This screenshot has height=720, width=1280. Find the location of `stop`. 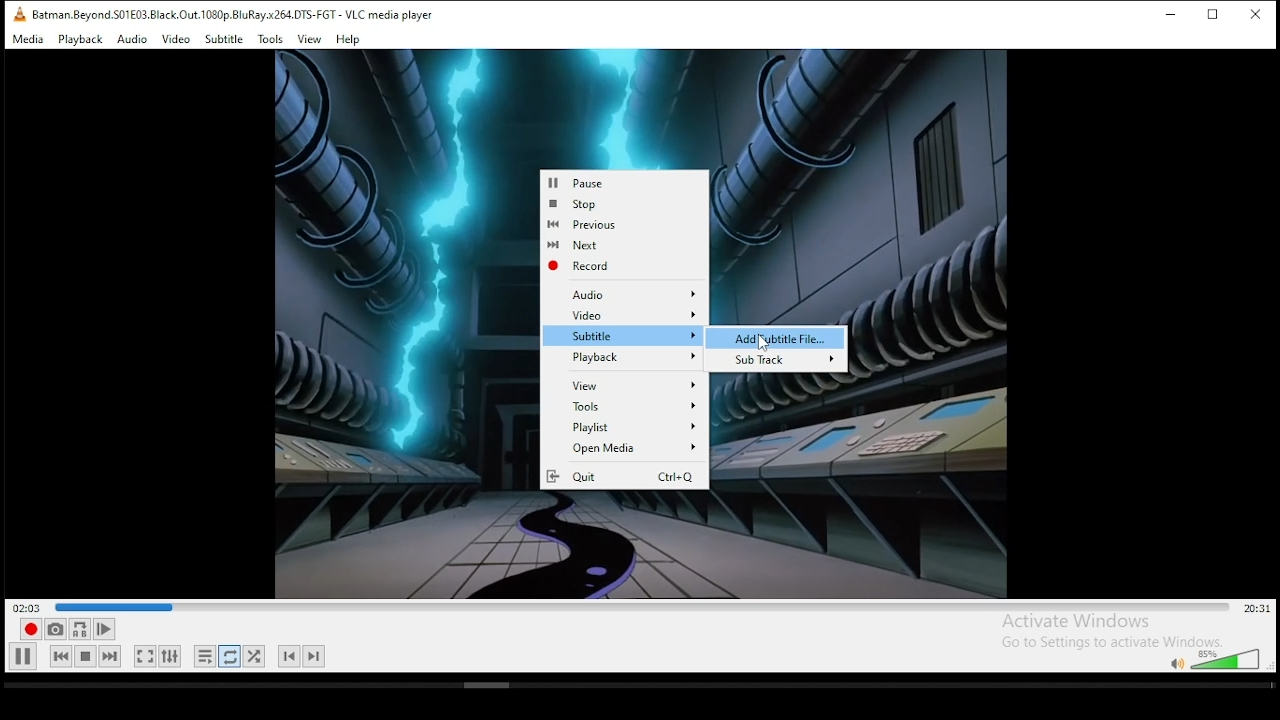

stop is located at coordinates (84, 656).